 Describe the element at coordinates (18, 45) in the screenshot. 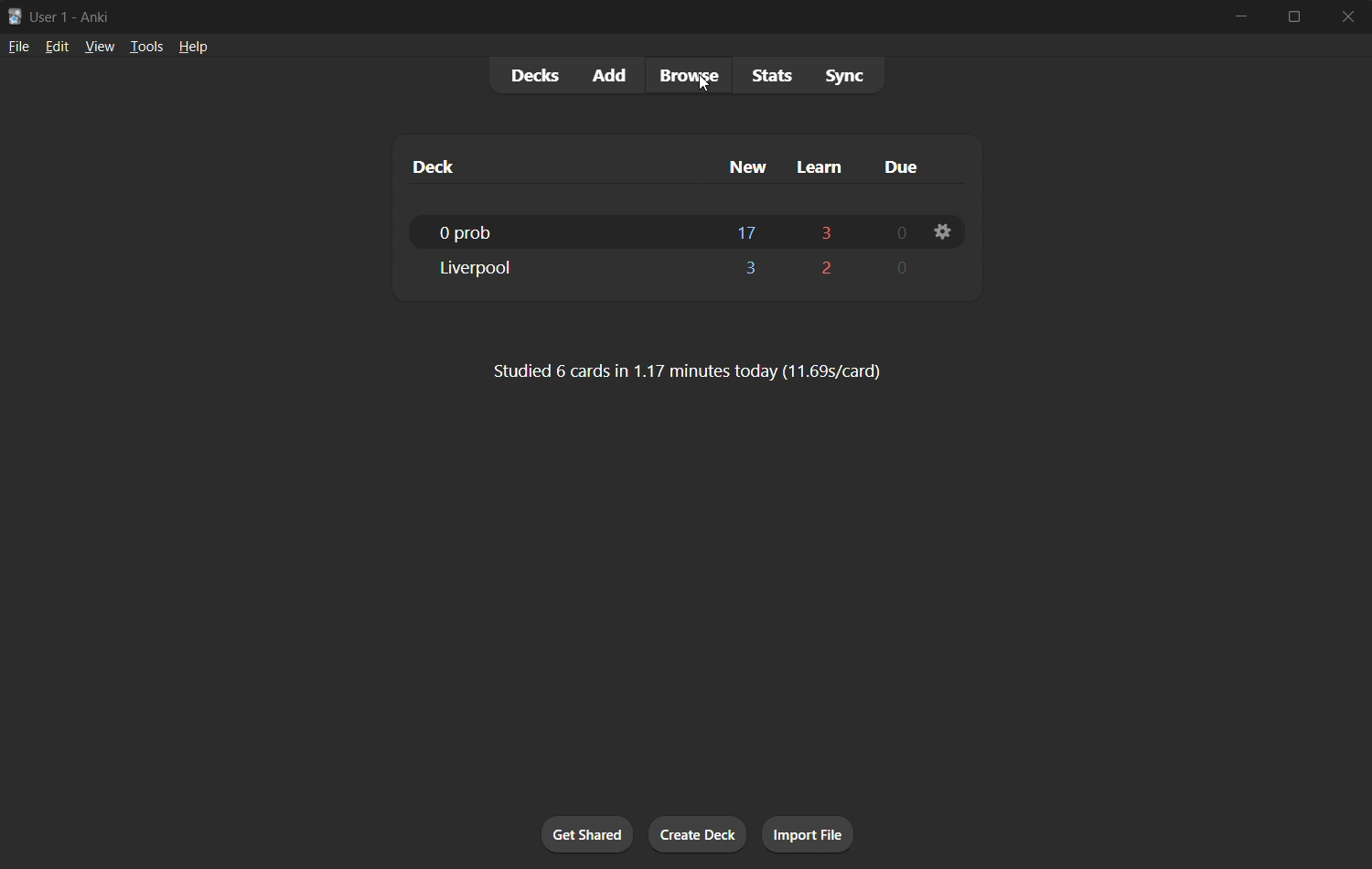

I see `file` at that location.